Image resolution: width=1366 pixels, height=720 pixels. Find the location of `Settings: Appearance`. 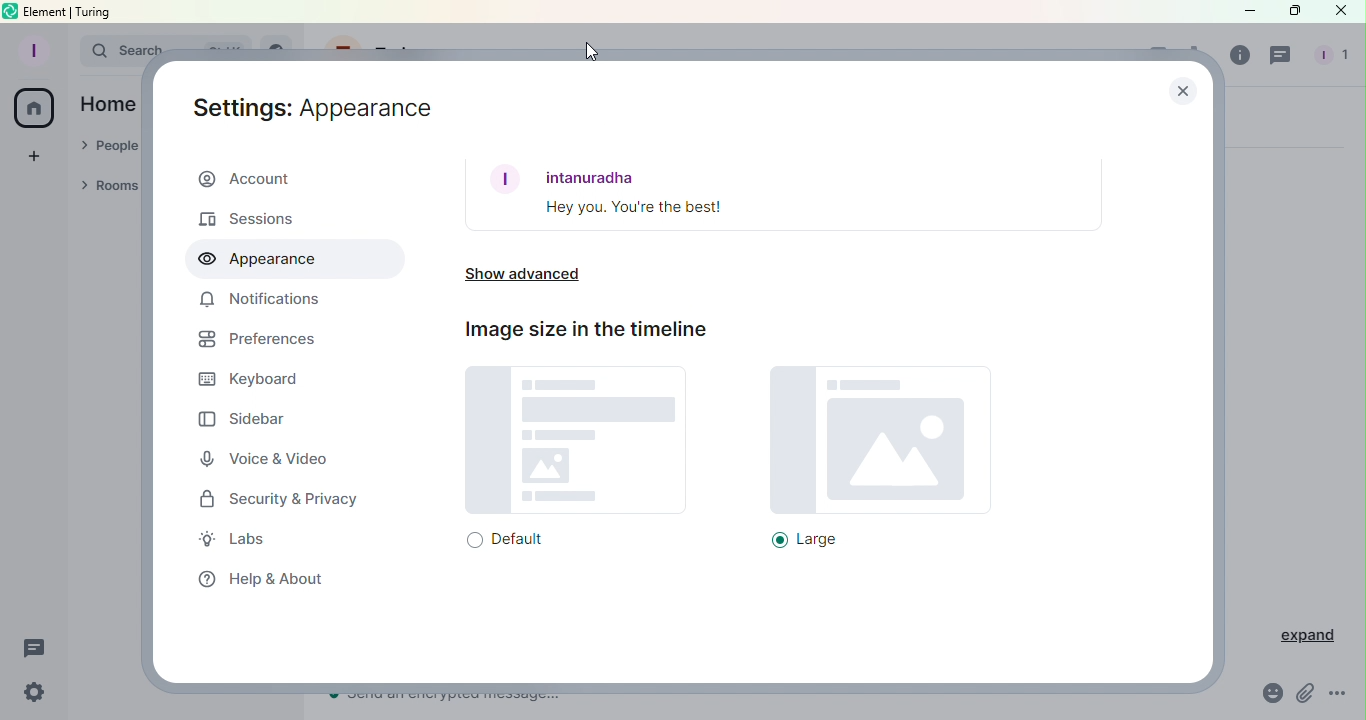

Settings: Appearance is located at coordinates (314, 104).